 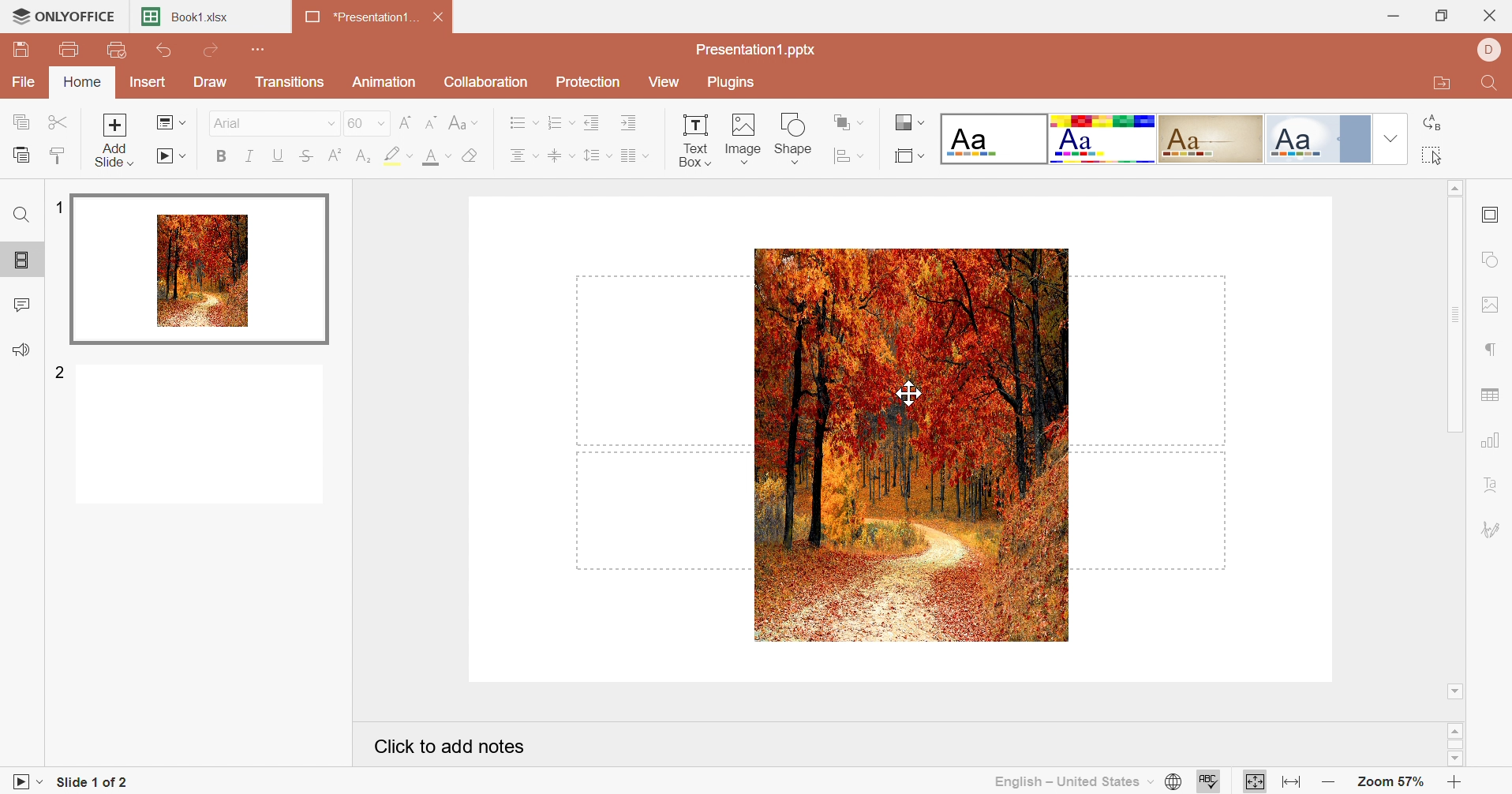 What do you see at coordinates (1173, 784) in the screenshot?
I see `Set document language` at bounding box center [1173, 784].